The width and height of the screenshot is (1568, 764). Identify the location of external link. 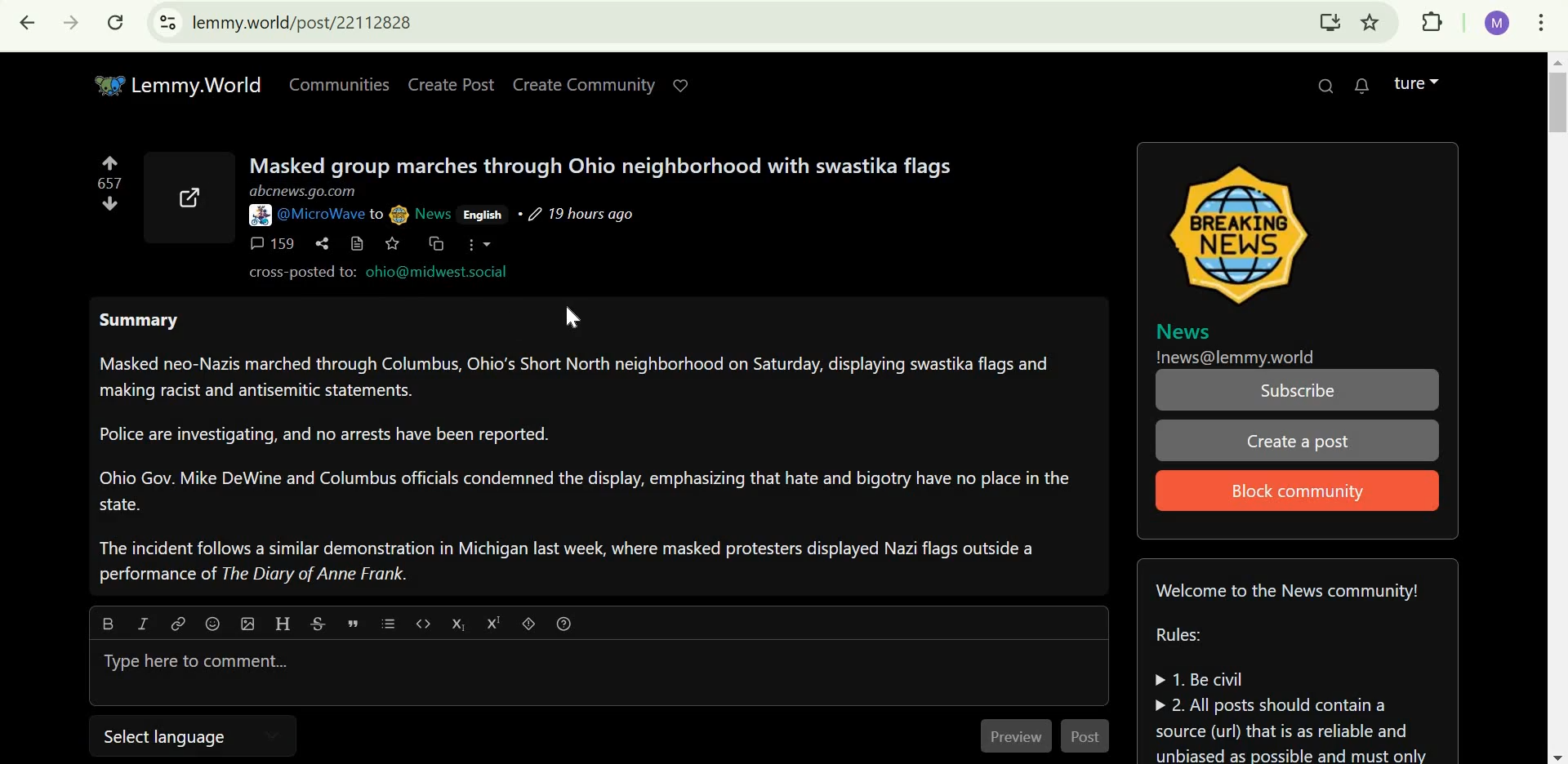
(192, 196).